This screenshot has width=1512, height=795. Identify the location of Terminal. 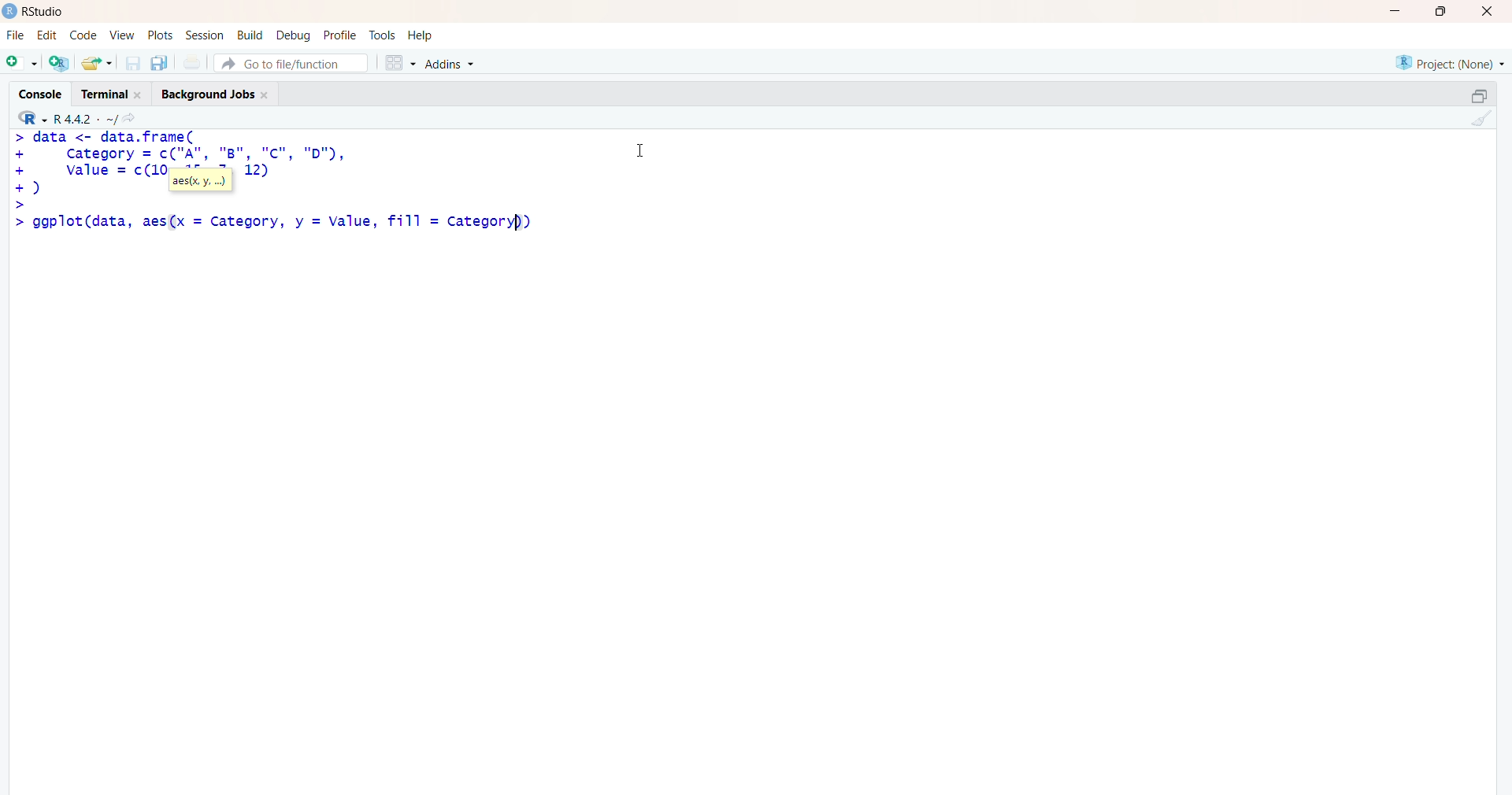
(109, 92).